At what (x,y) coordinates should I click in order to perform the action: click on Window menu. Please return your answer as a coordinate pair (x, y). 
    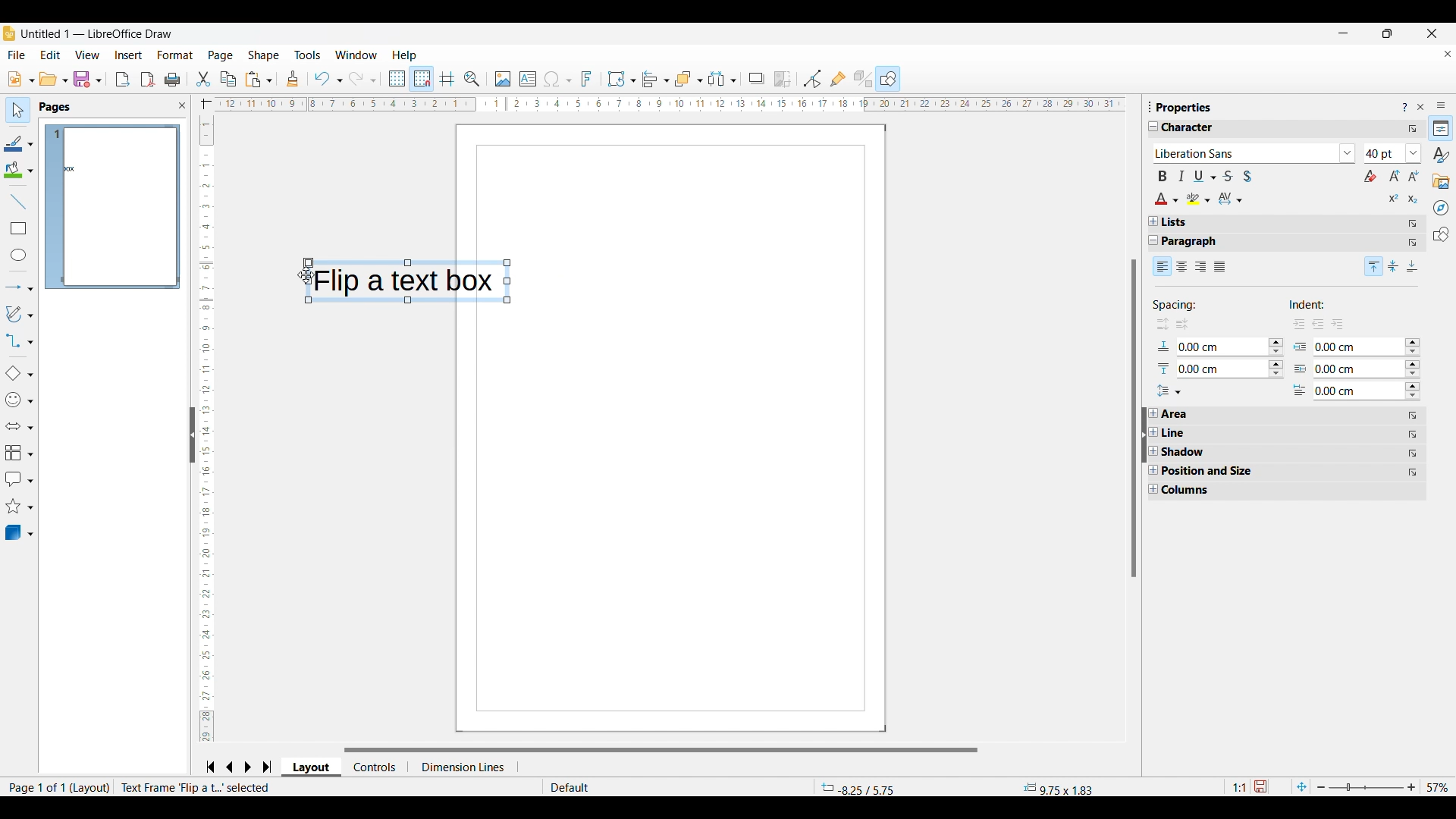
    Looking at the image, I should click on (356, 55).